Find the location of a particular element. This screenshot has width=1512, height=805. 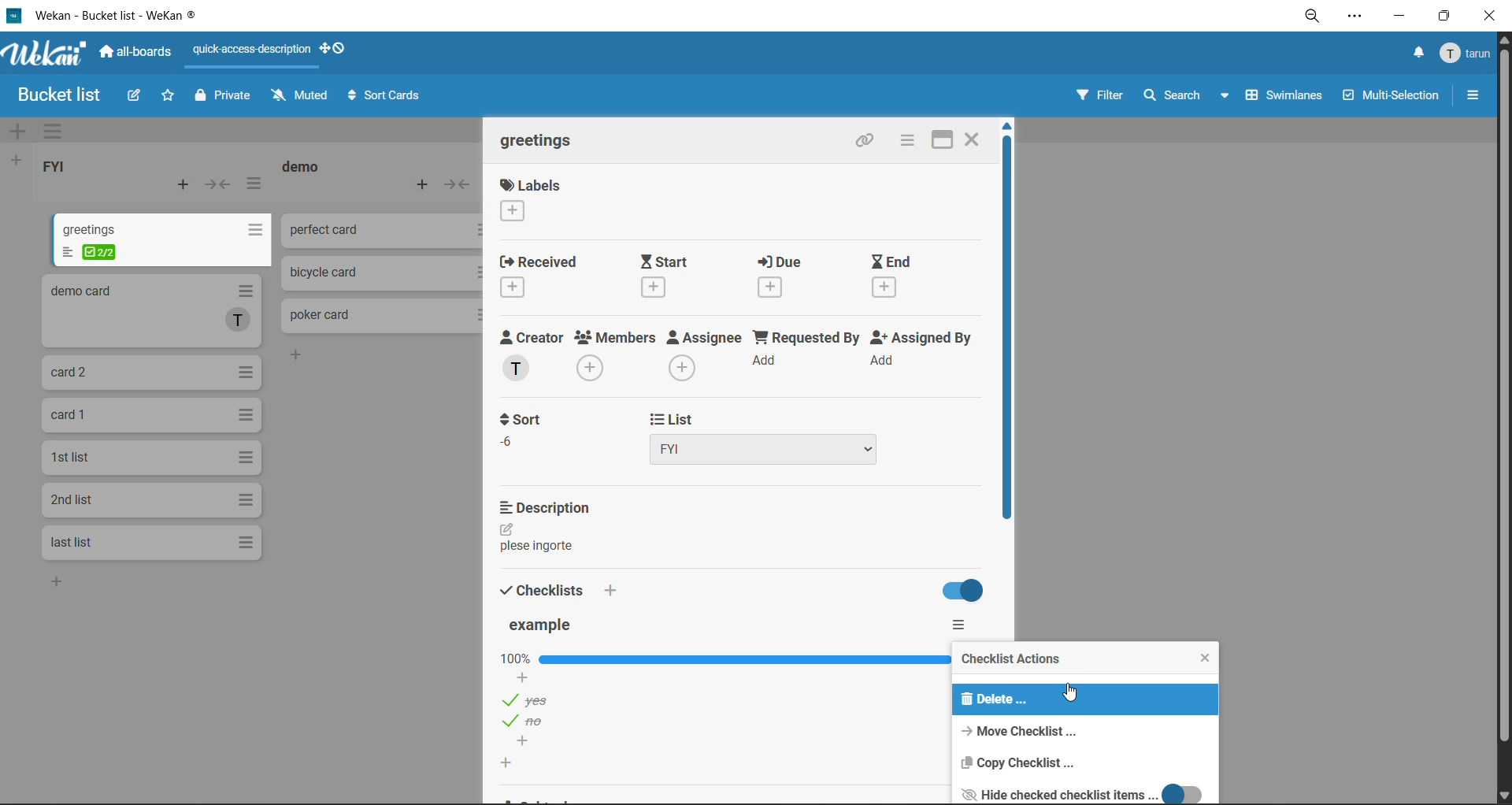

list is located at coordinates (787, 436).